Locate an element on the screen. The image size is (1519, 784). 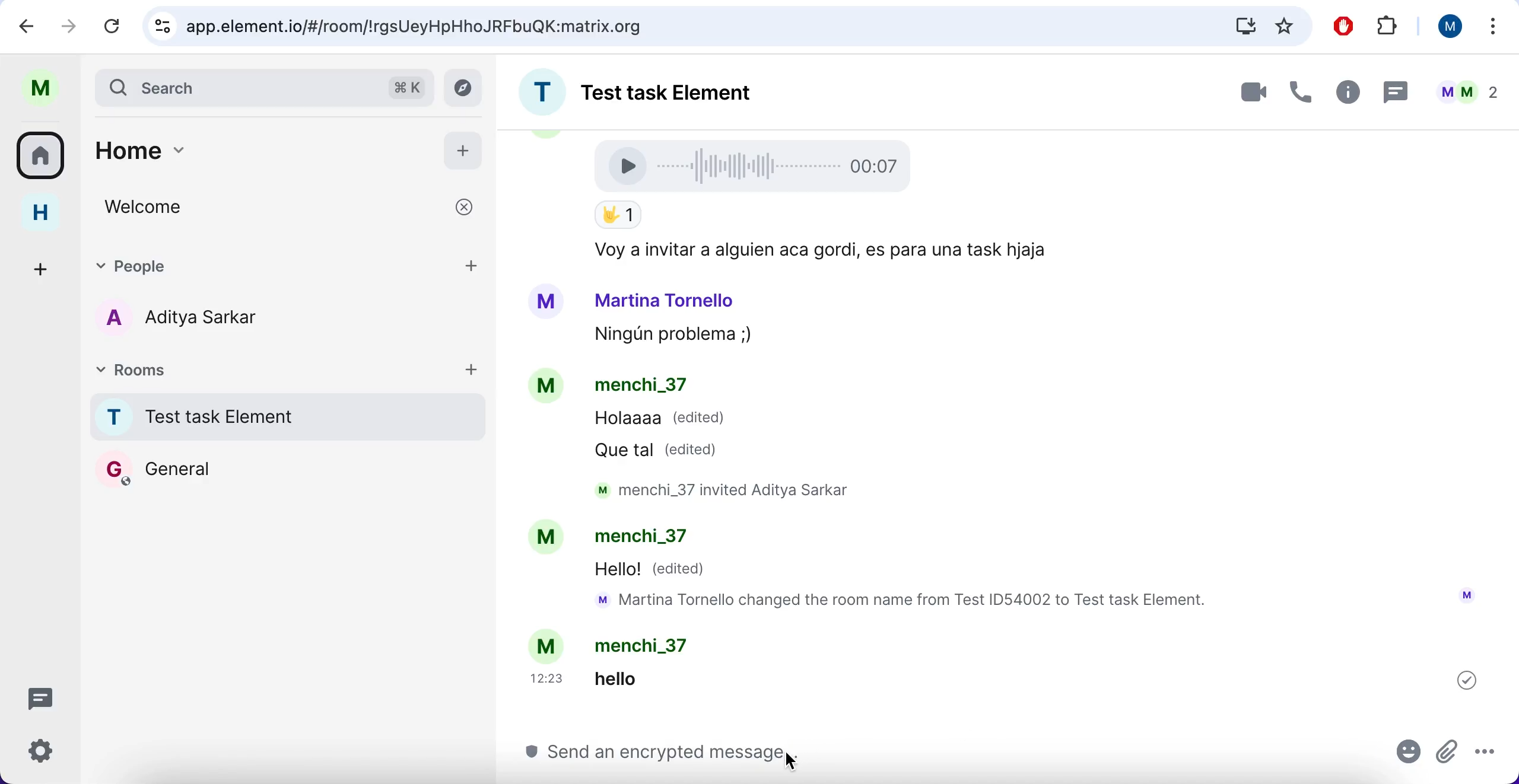
rooms is located at coordinates (195, 368).